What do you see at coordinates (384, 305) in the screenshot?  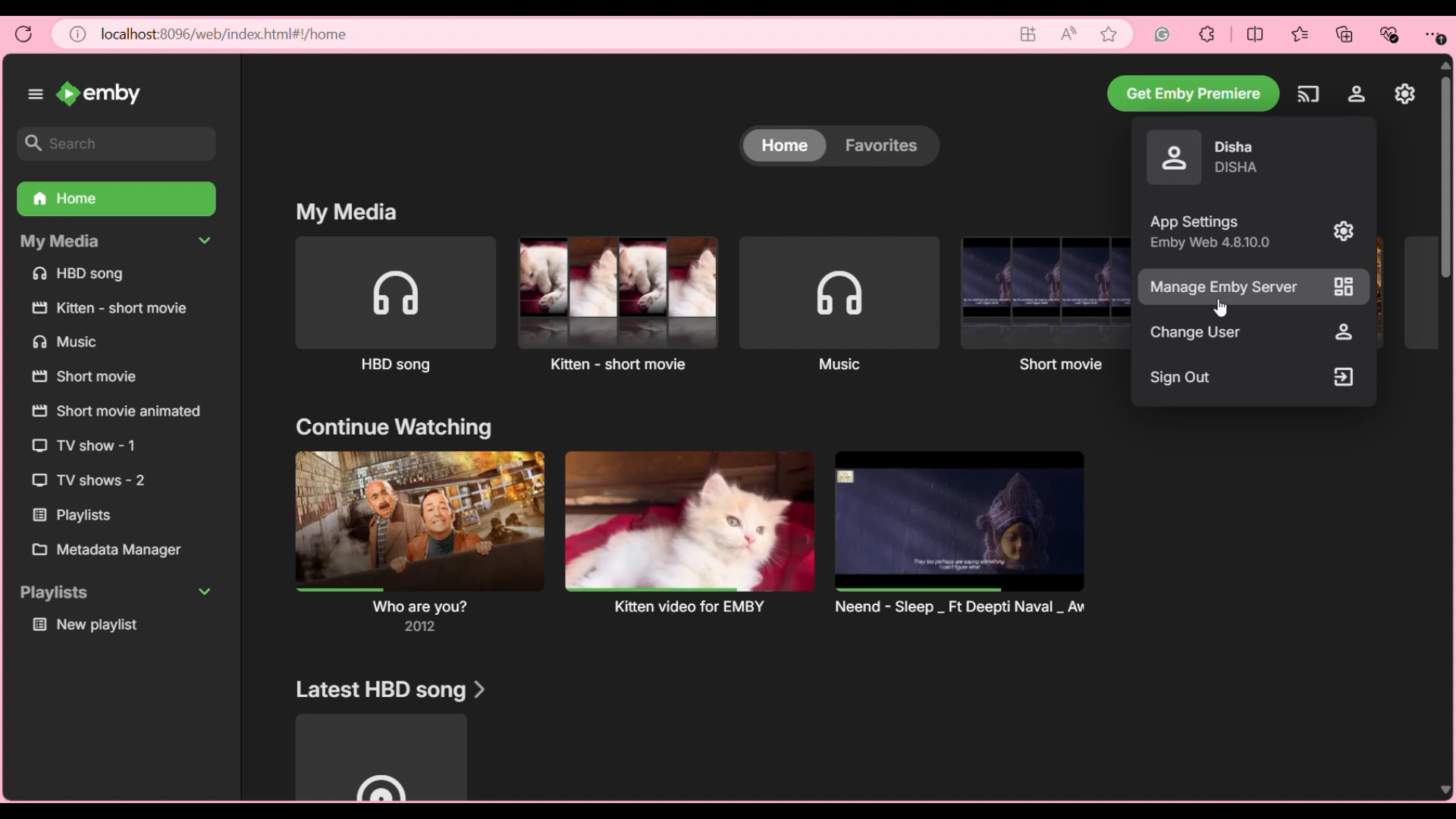 I see `HBO song` at bounding box center [384, 305].